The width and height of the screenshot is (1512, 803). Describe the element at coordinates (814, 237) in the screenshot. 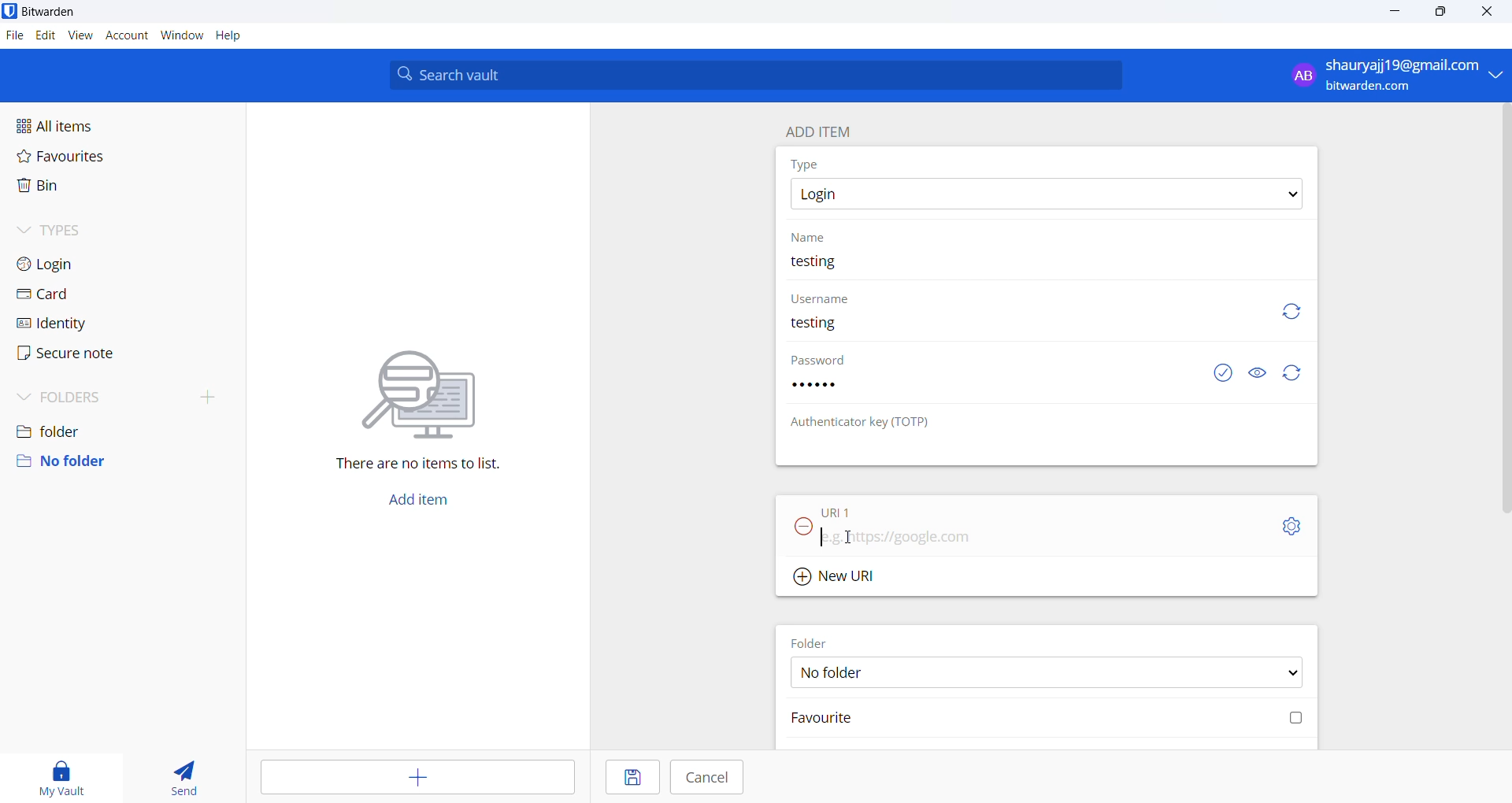

I see `name heading` at that location.